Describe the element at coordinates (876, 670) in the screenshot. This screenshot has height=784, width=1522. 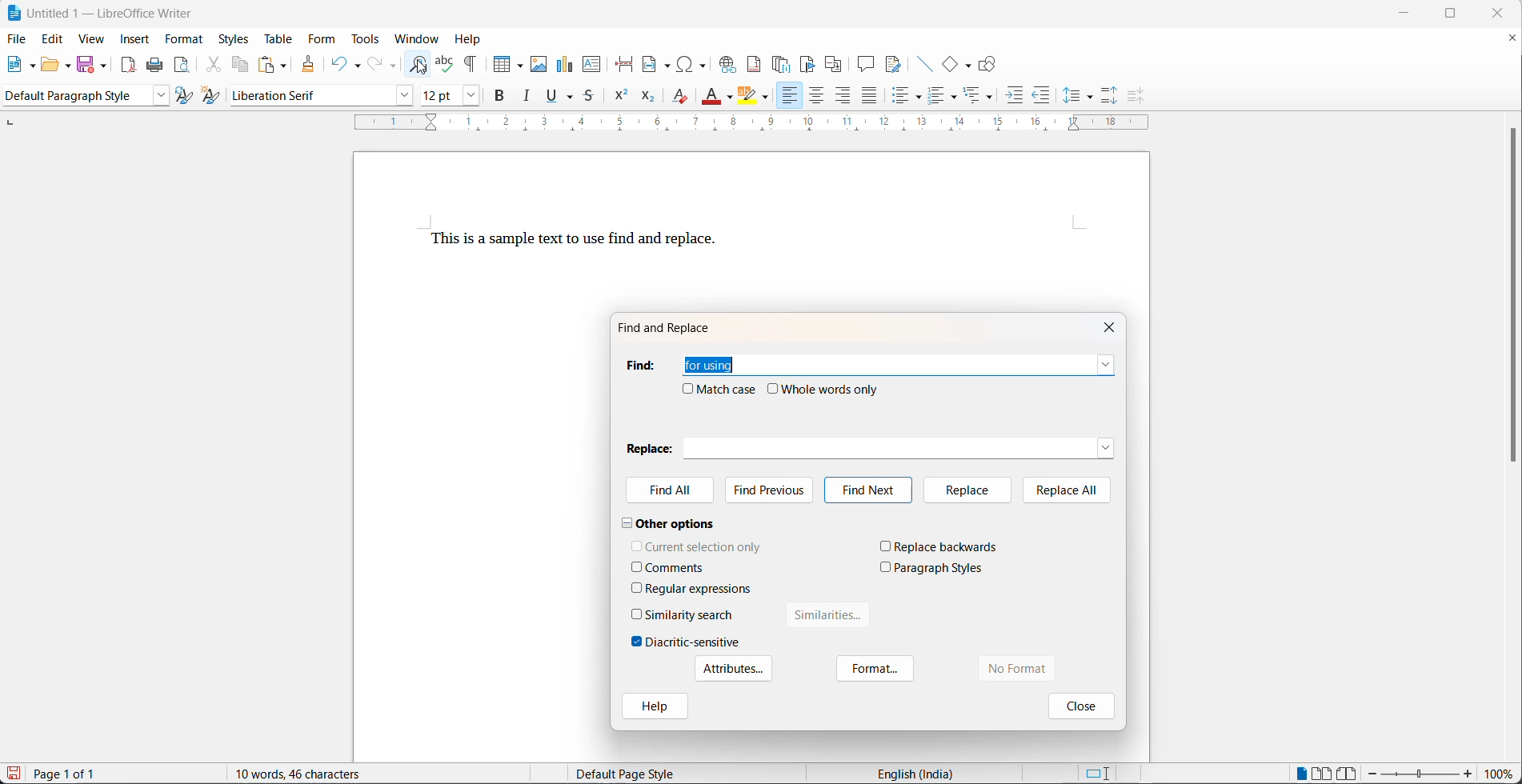
I see `format` at that location.